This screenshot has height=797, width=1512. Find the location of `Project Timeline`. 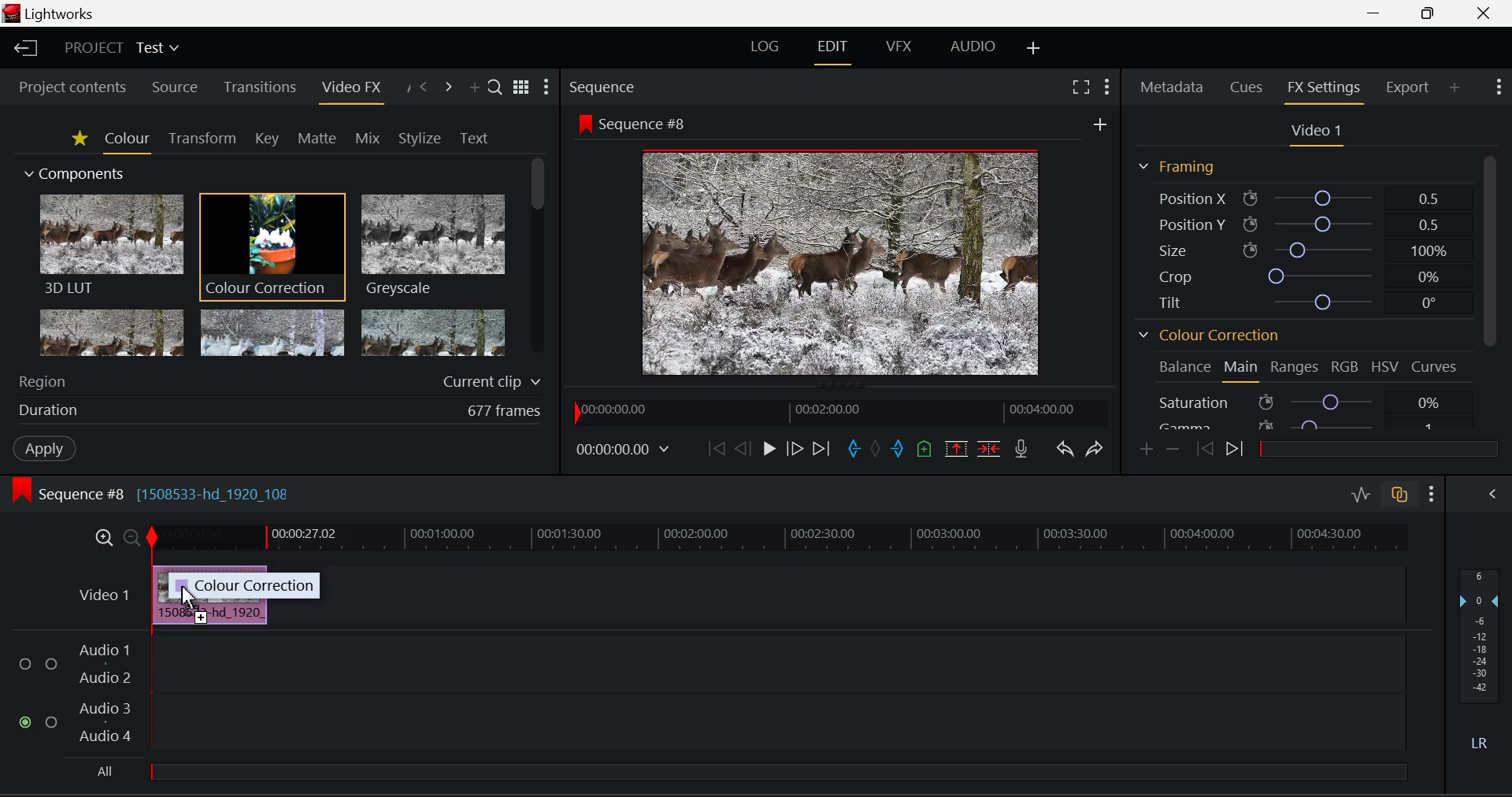

Project Timeline is located at coordinates (775, 539).